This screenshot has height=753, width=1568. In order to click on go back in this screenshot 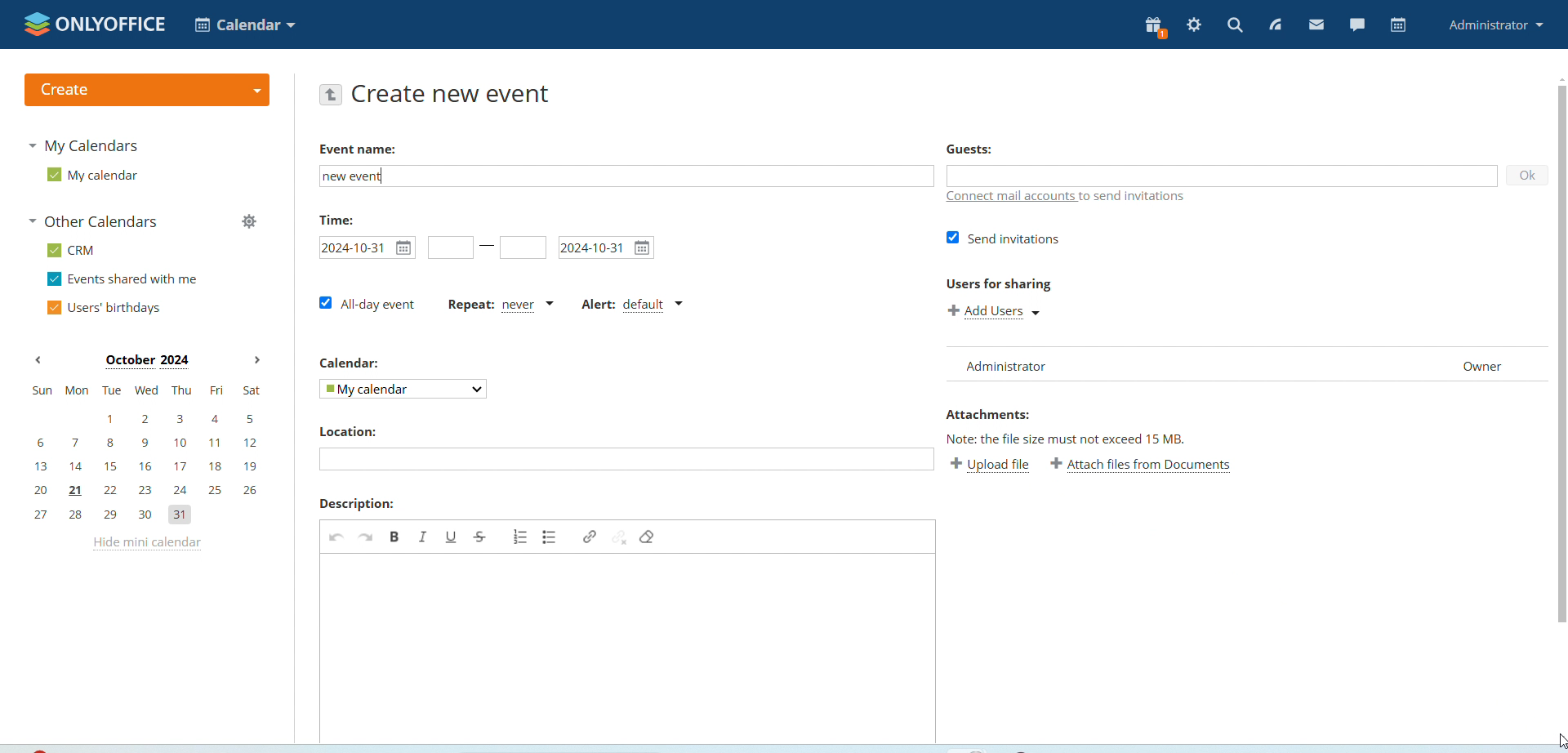, I will do `click(331, 96)`.